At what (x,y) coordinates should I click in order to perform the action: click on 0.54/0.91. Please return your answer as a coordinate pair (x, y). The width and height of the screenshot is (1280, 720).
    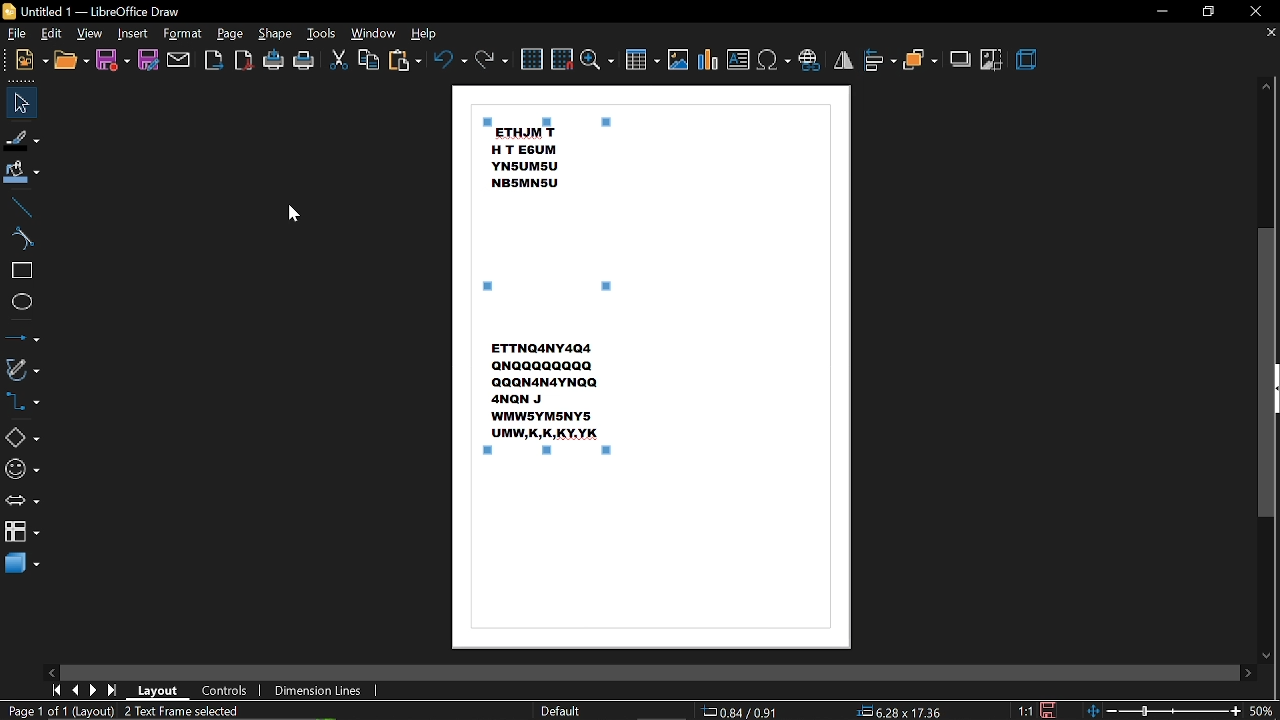
    Looking at the image, I should click on (742, 711).